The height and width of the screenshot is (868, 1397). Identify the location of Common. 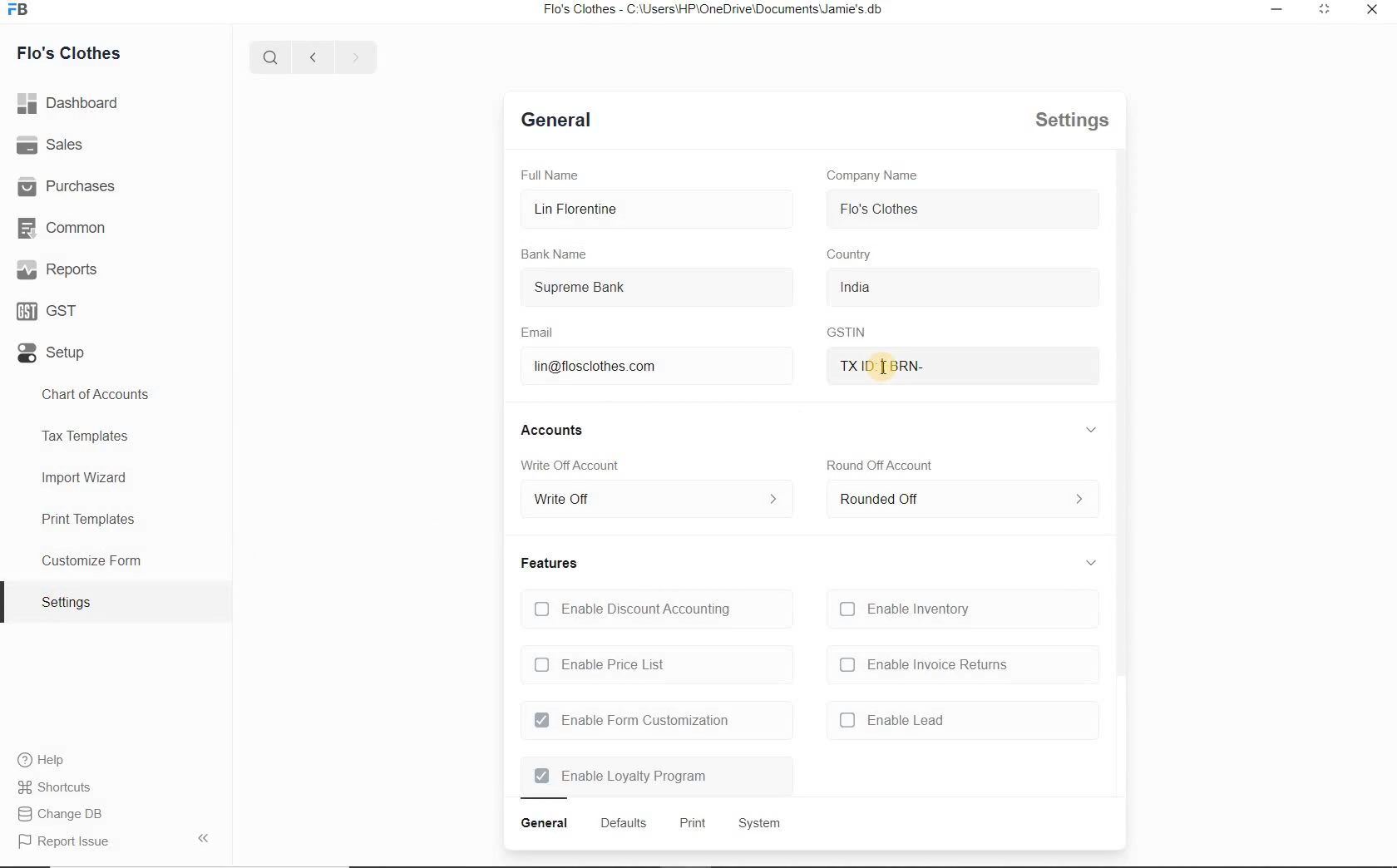
(66, 229).